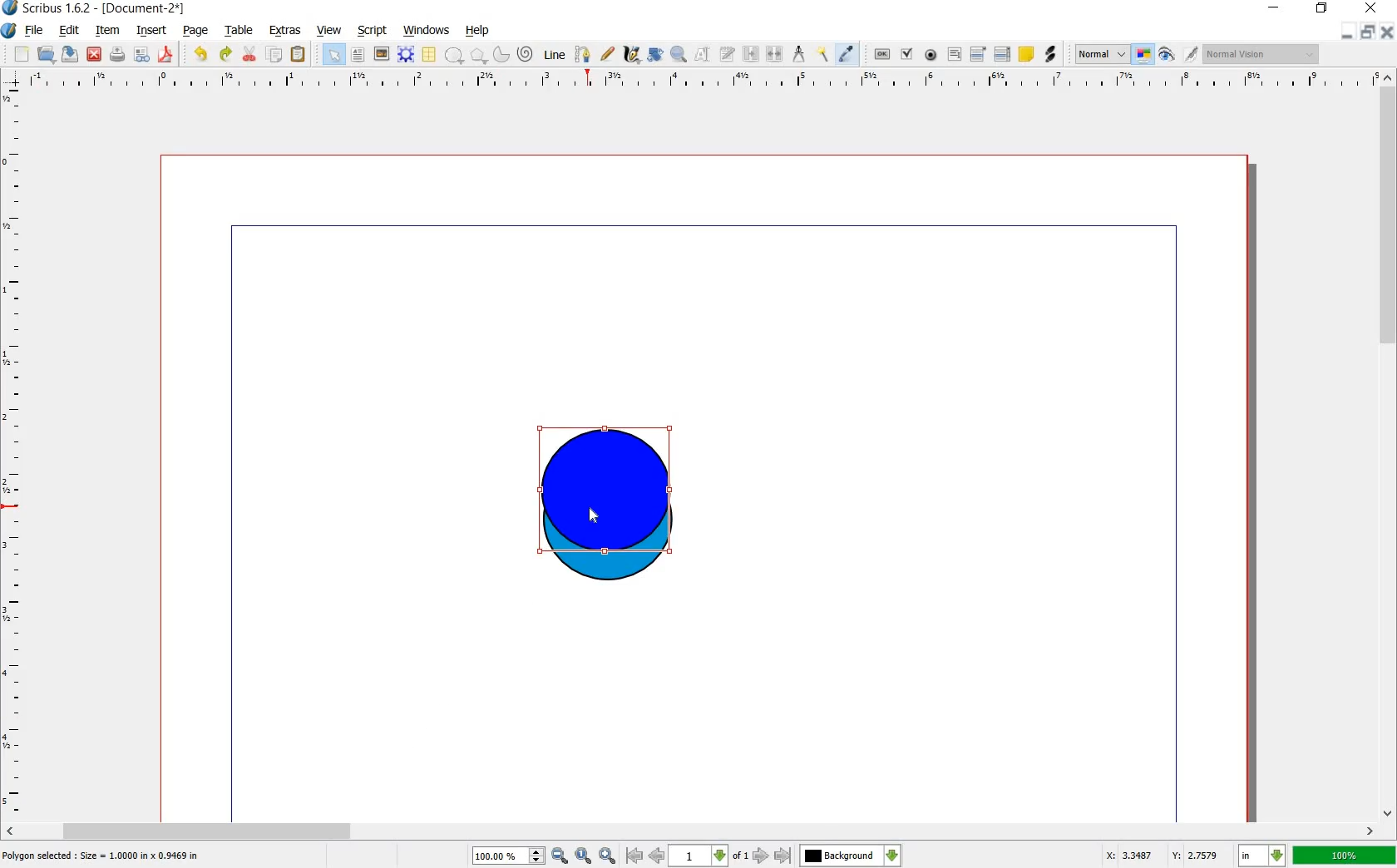 This screenshot has height=868, width=1397. I want to click on system logo, so click(8, 31).